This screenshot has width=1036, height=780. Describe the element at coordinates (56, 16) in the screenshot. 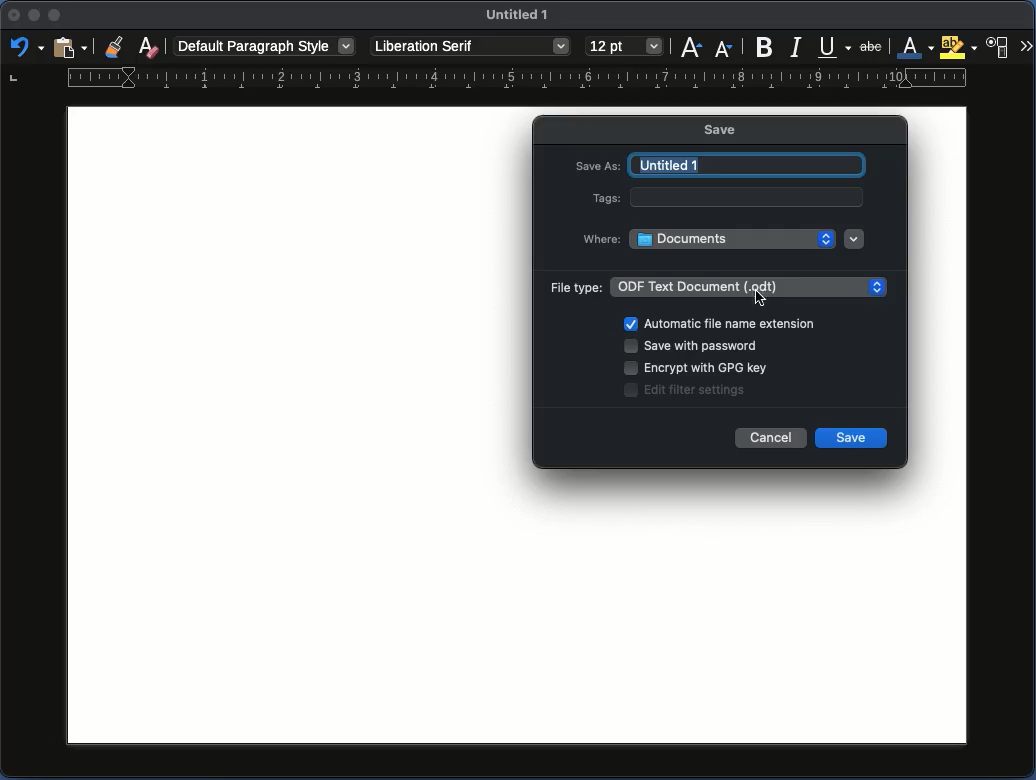

I see `Minimize` at that location.